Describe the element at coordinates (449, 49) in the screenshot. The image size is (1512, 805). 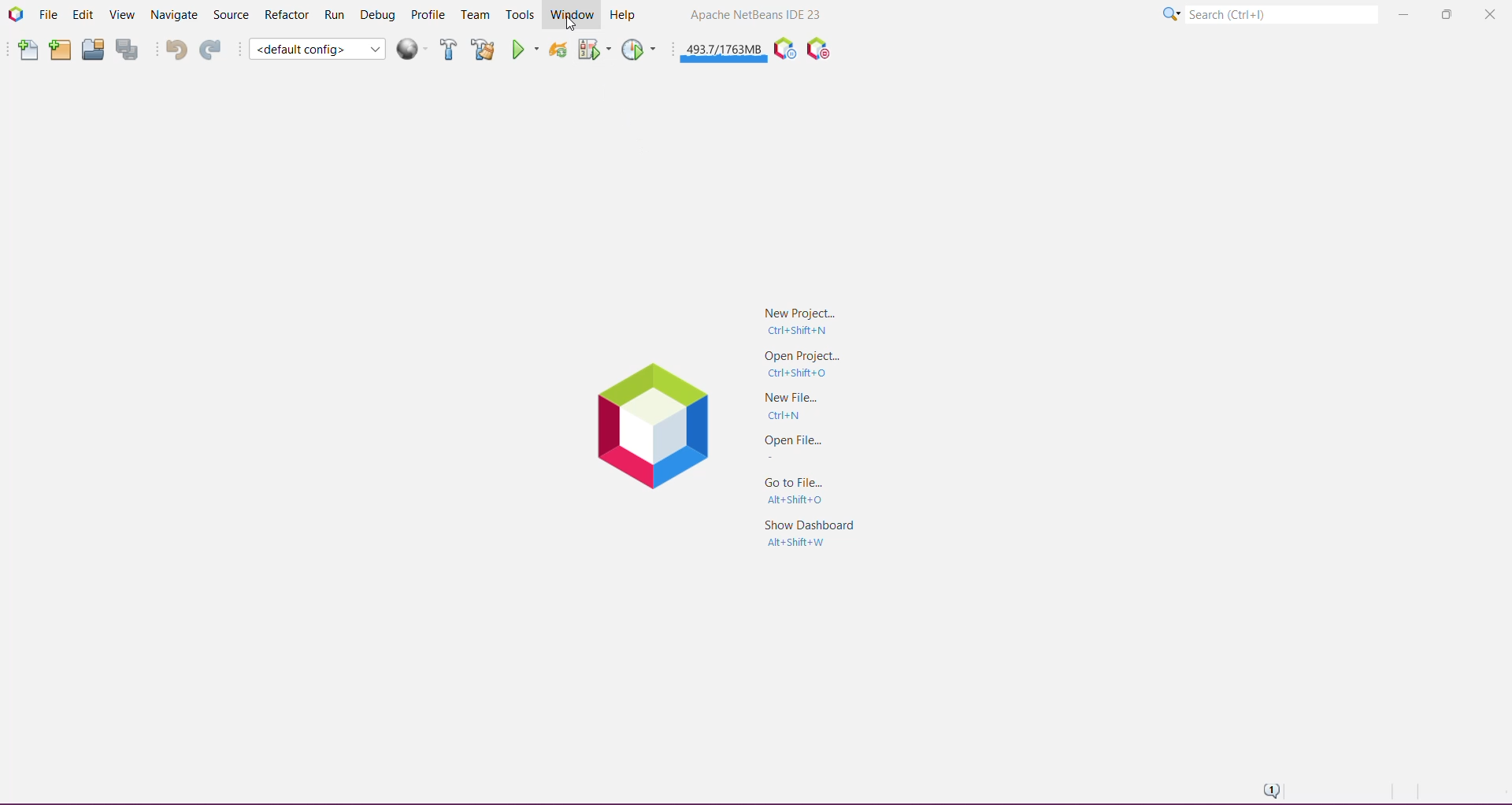
I see `Build Project` at that location.